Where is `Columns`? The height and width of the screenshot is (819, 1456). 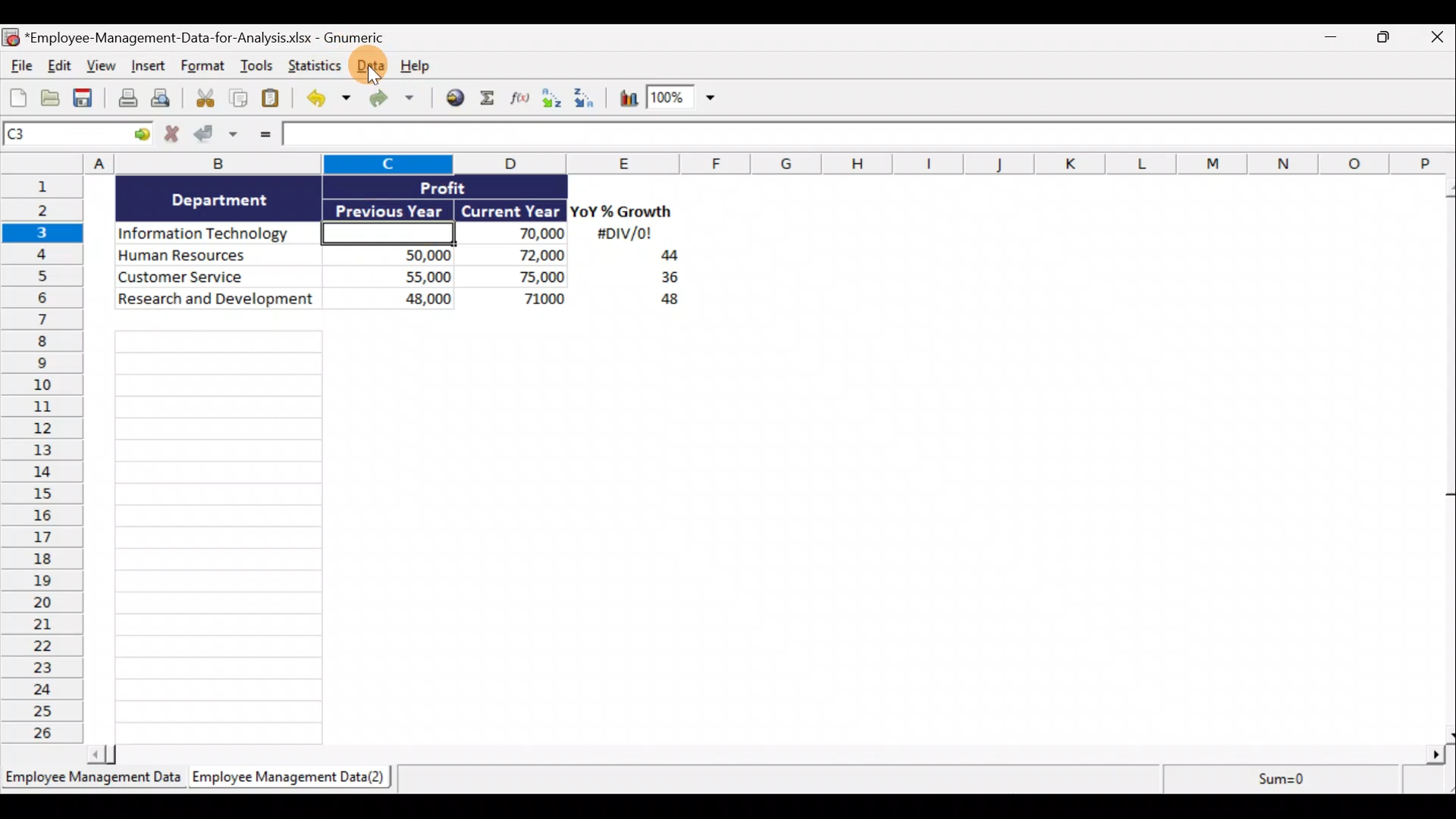
Columns is located at coordinates (731, 163).